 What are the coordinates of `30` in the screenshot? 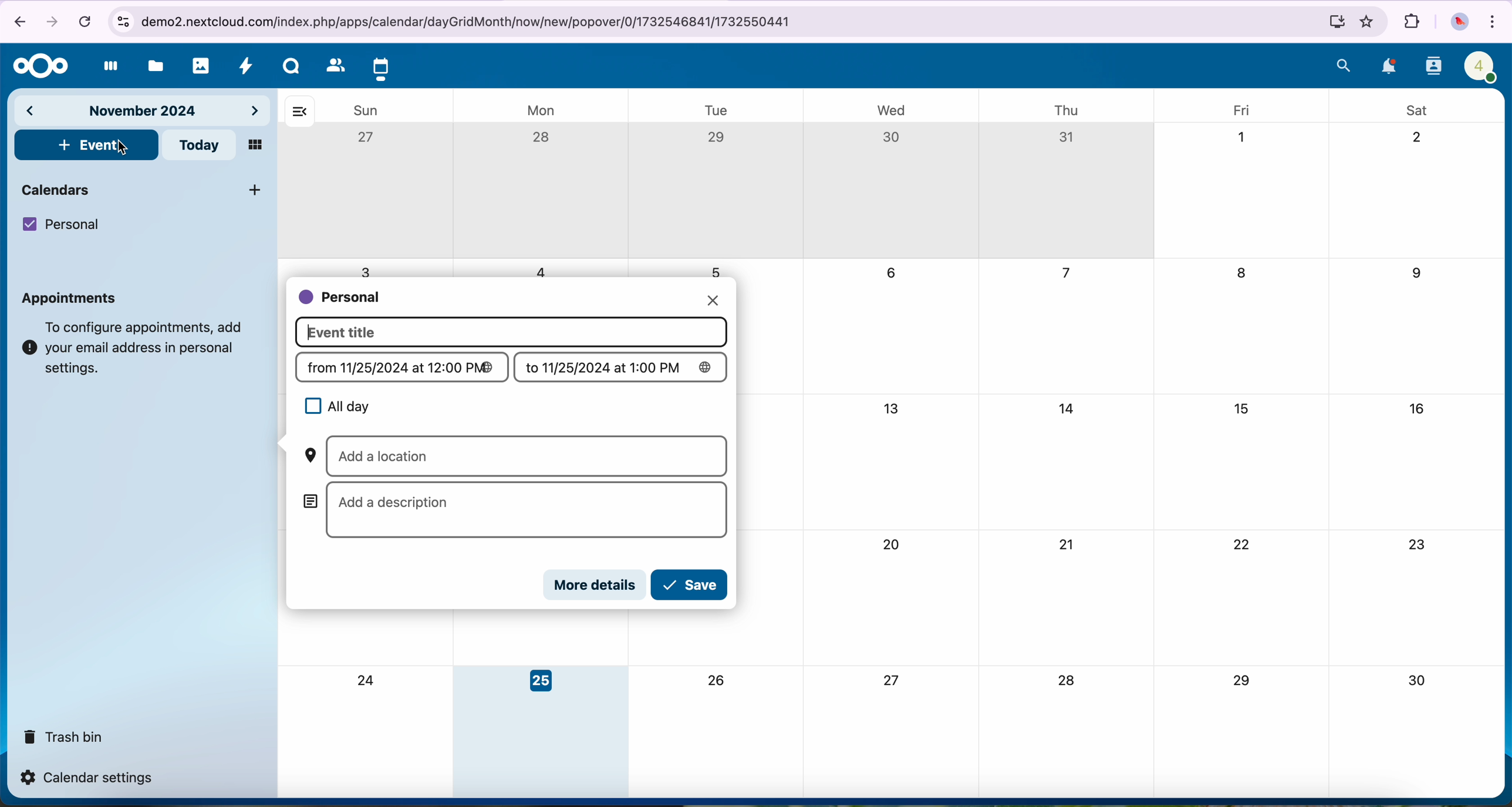 It's located at (1416, 681).